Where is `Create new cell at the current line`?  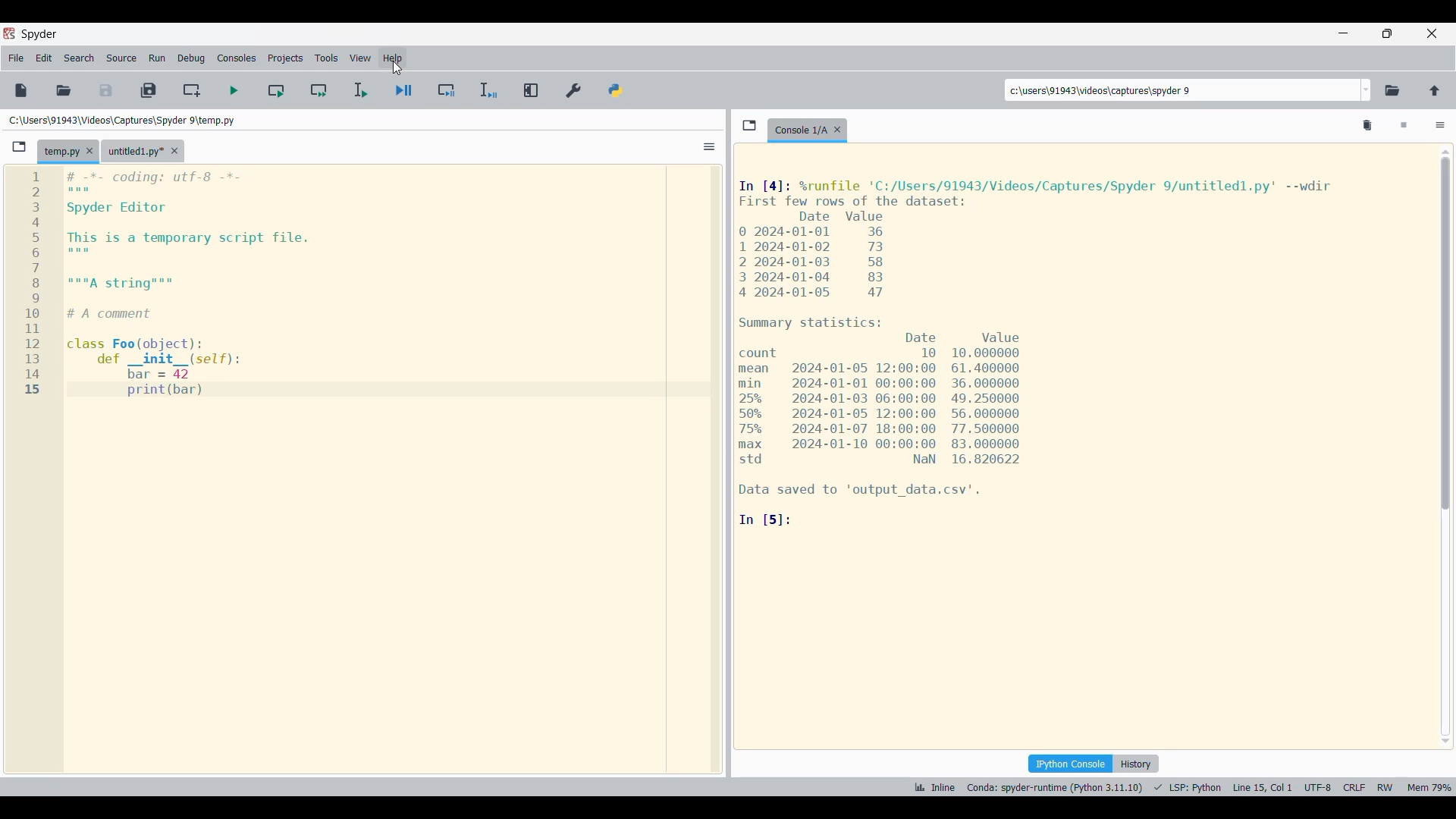 Create new cell at the current line is located at coordinates (191, 90).